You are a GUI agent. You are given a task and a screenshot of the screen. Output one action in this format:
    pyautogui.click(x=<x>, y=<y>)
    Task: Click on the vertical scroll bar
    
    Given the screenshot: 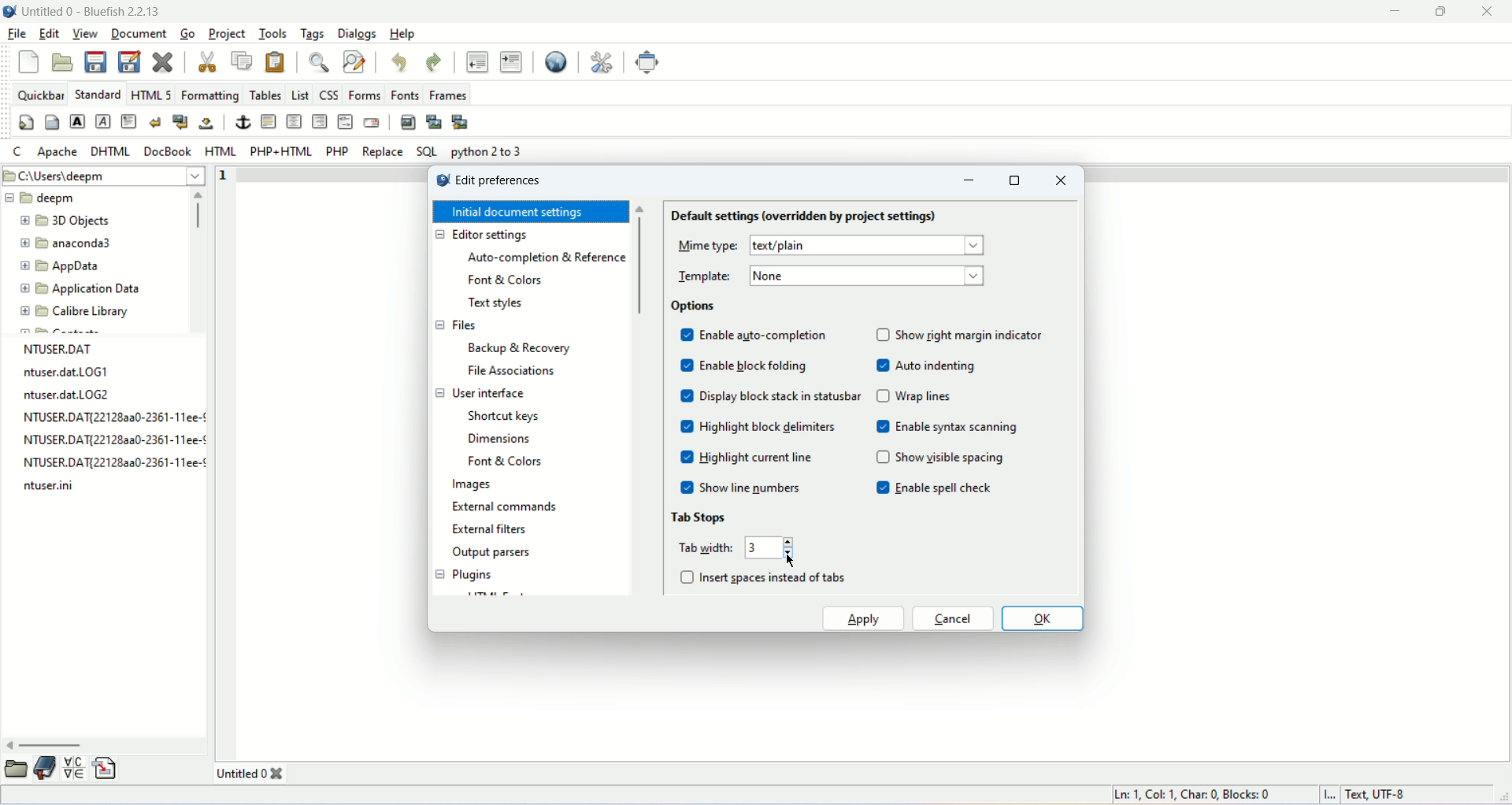 What is the action you would take?
    pyautogui.click(x=641, y=268)
    